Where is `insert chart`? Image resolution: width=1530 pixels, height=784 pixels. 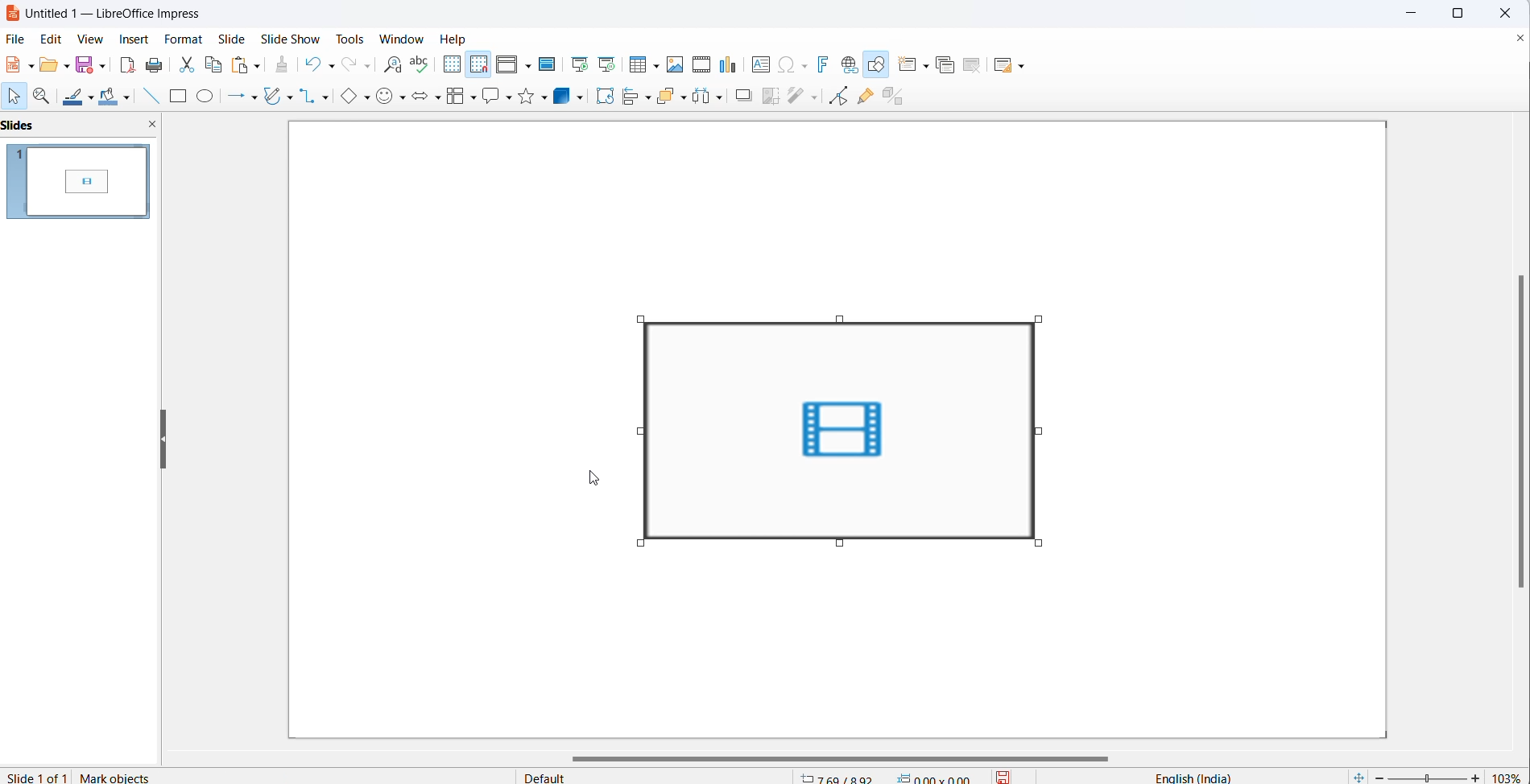 insert chart is located at coordinates (730, 64).